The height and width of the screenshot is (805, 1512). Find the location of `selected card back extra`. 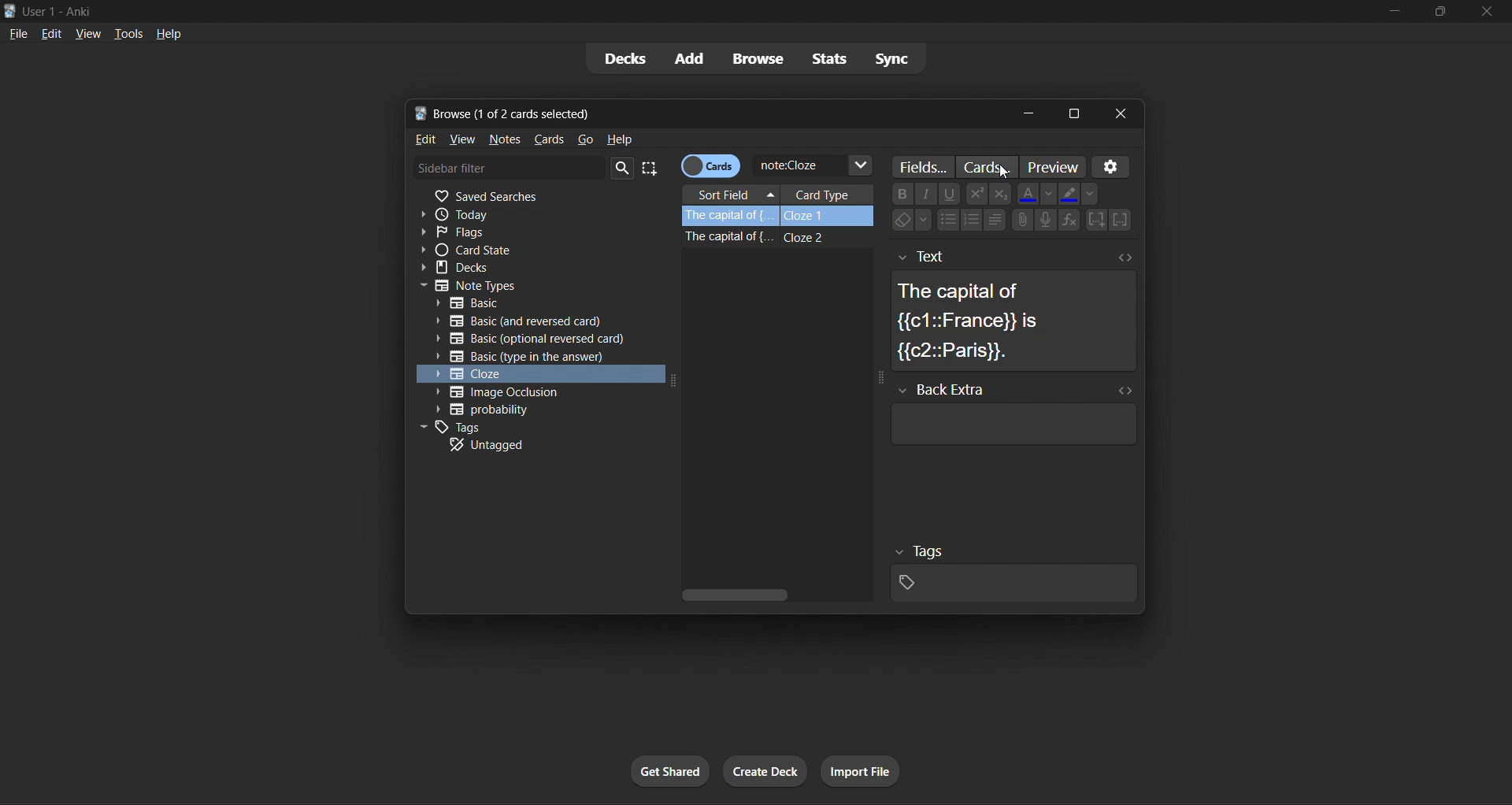

selected card back extra is located at coordinates (1010, 414).